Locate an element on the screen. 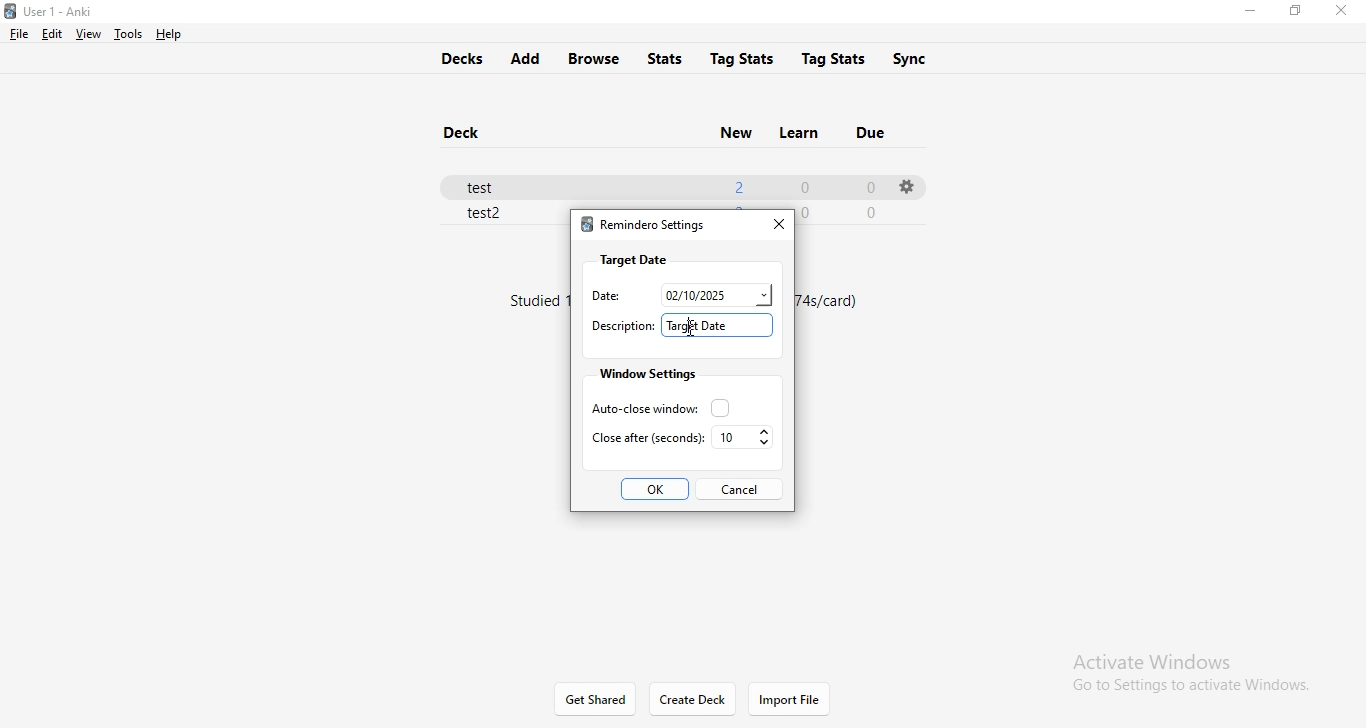  0 is located at coordinates (874, 212).